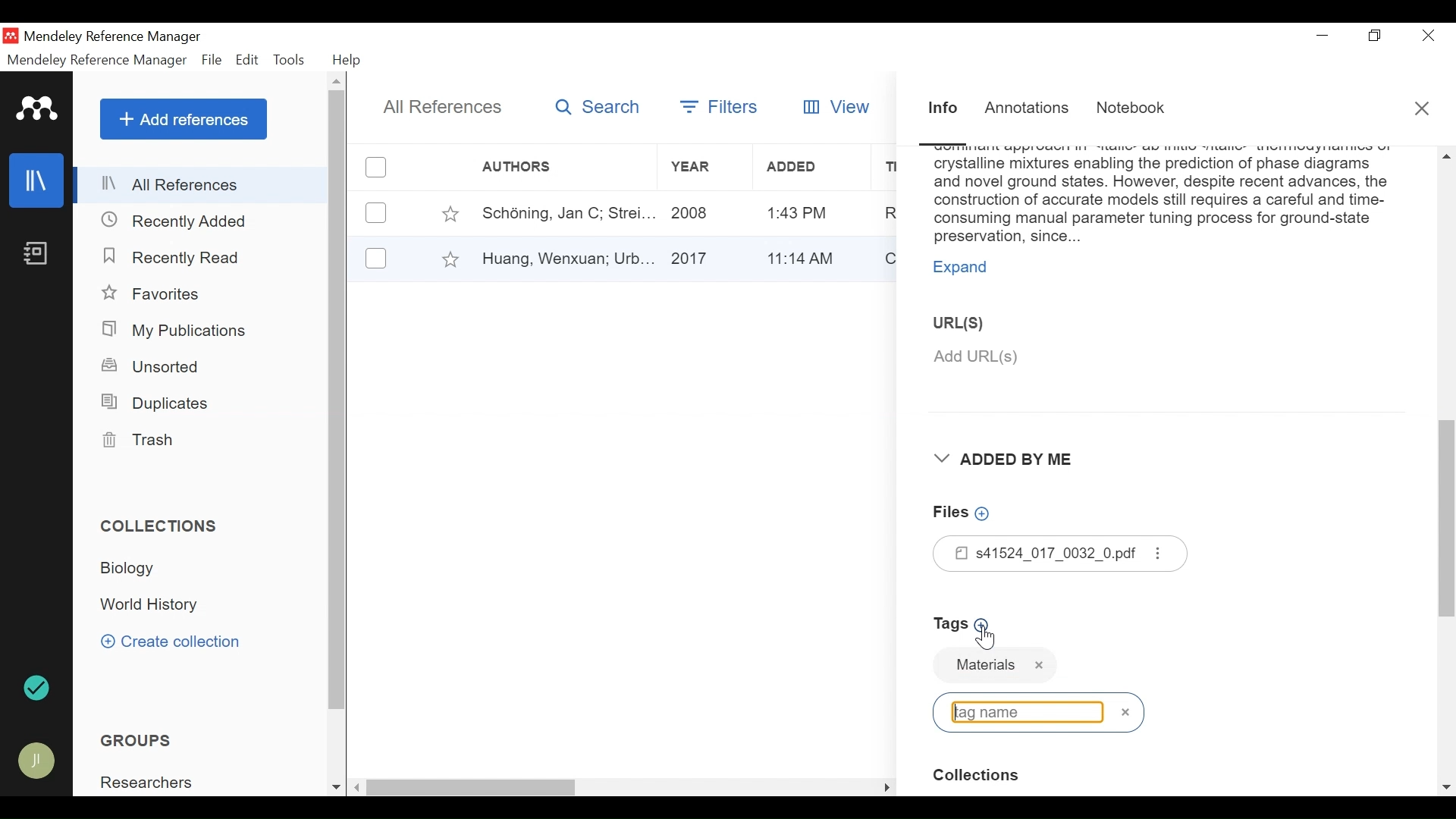 This screenshot has width=1456, height=819. Describe the element at coordinates (807, 256) in the screenshot. I see `Added` at that location.